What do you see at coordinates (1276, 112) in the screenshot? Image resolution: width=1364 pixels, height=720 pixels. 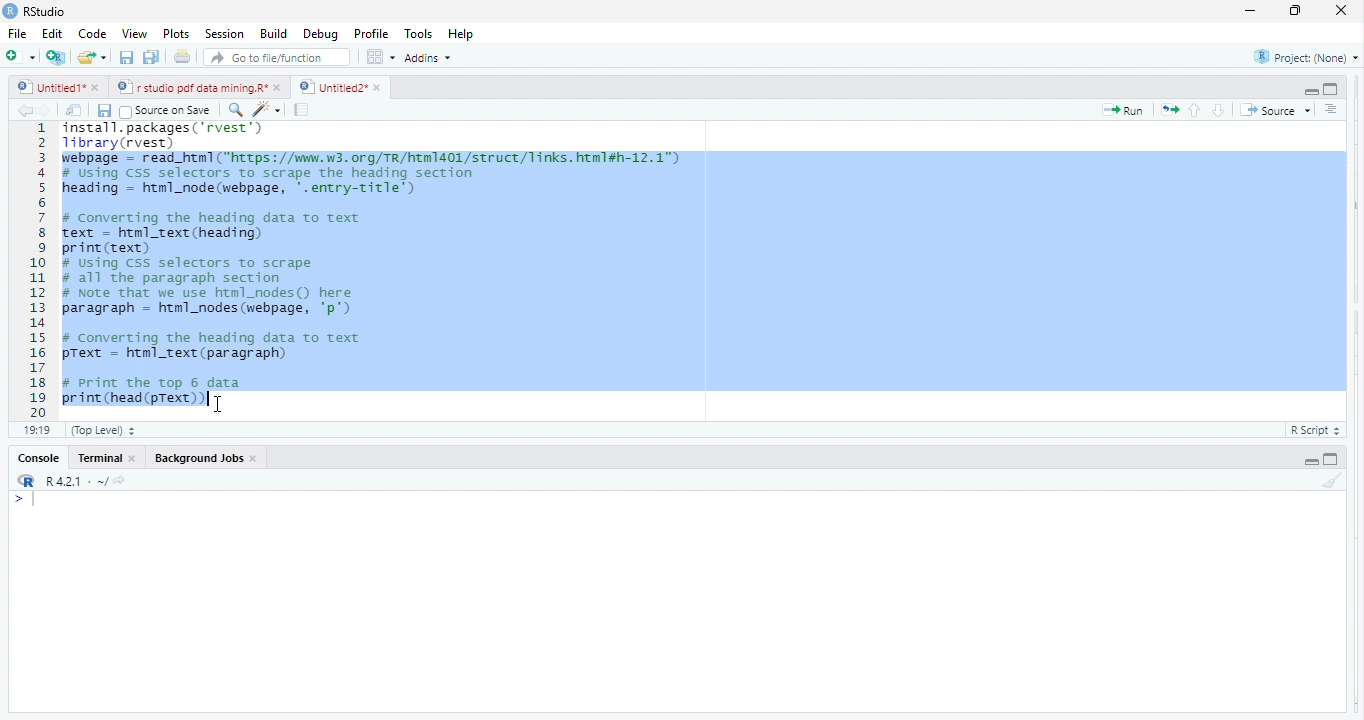 I see ` Source ` at bounding box center [1276, 112].